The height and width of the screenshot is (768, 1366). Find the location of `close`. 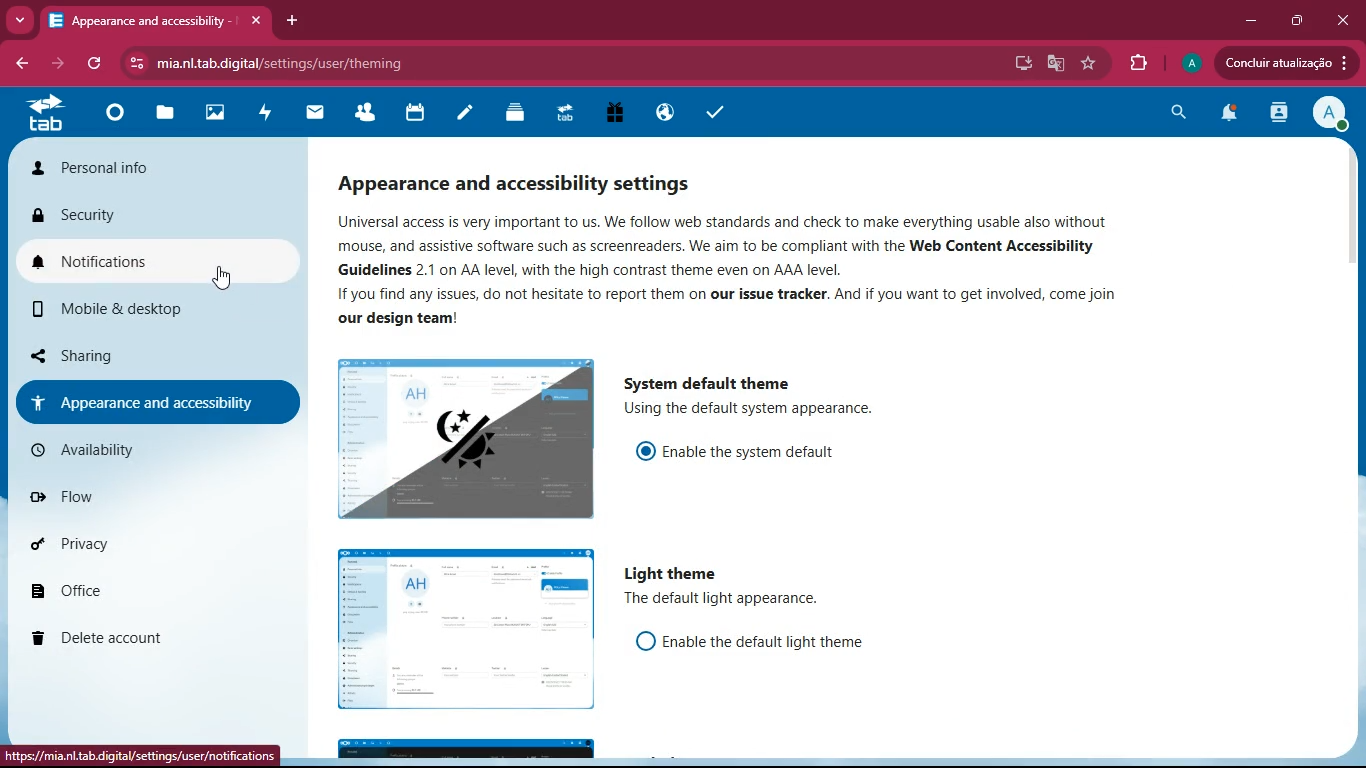

close is located at coordinates (1346, 20).